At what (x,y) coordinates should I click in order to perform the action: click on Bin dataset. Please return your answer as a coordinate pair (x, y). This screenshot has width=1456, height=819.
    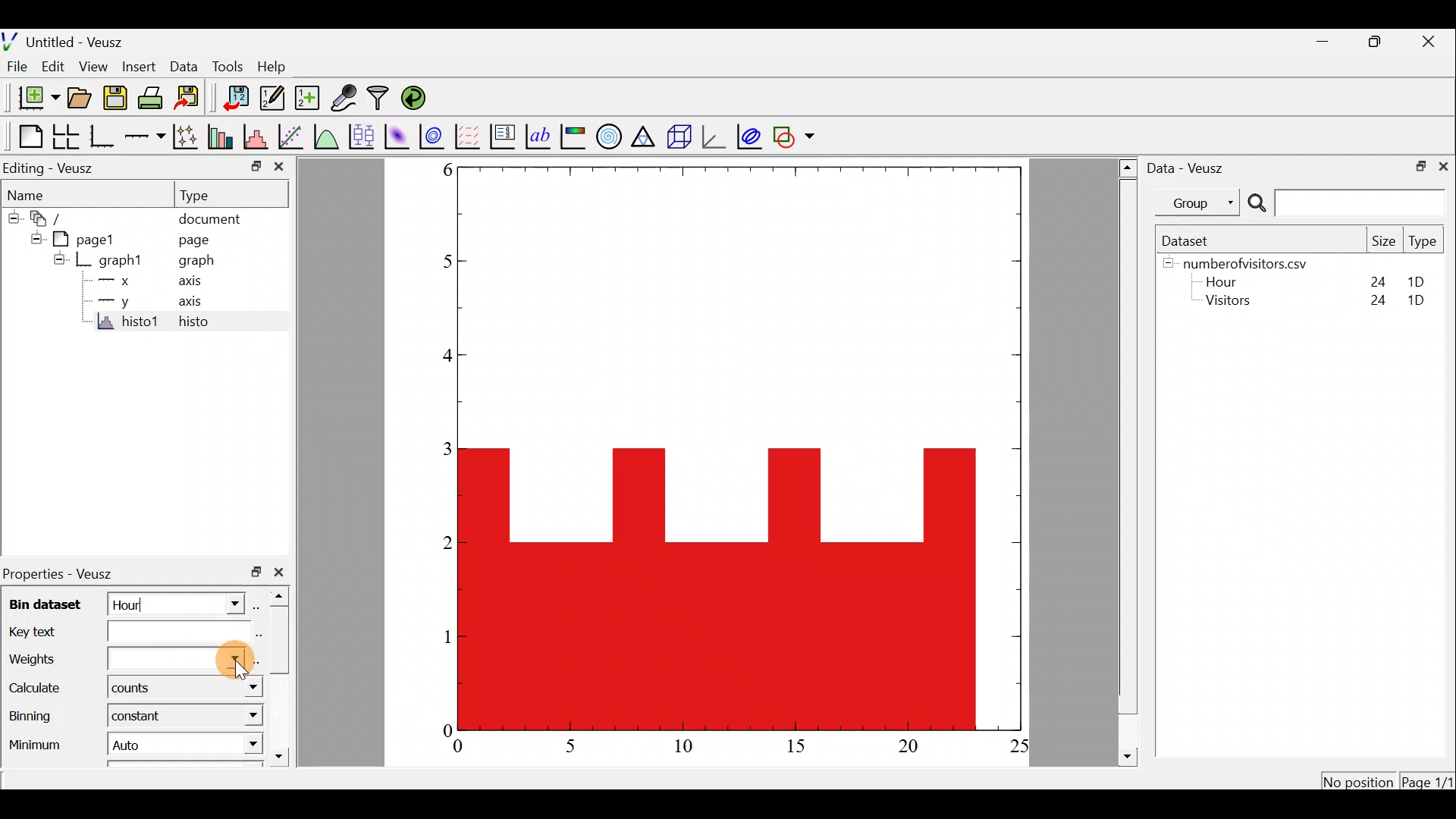
    Looking at the image, I should click on (50, 605).